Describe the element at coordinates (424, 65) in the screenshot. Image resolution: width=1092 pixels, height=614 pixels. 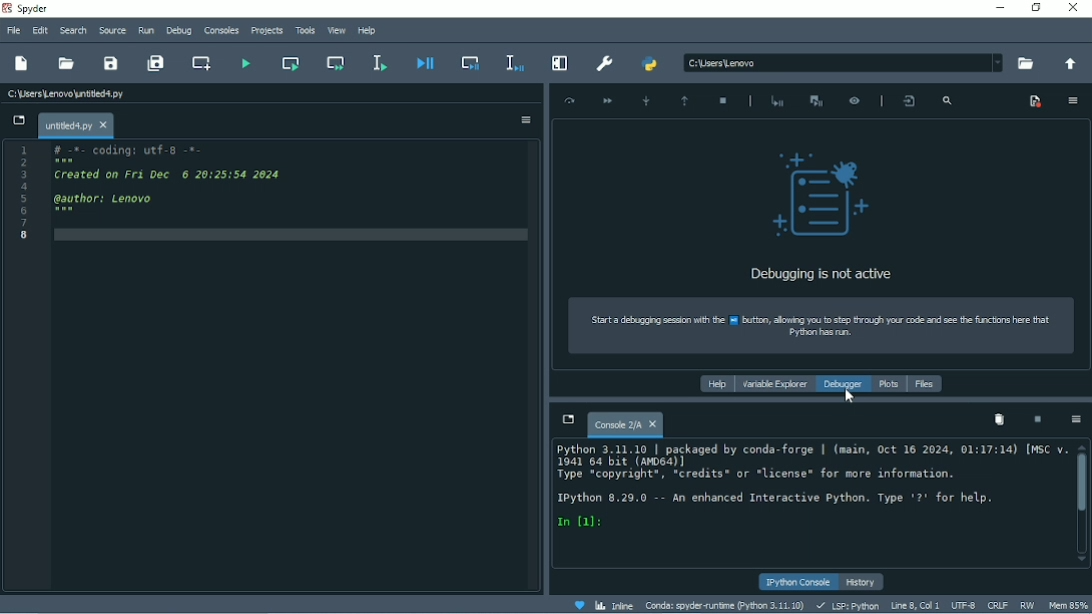
I see `Debug file` at that location.